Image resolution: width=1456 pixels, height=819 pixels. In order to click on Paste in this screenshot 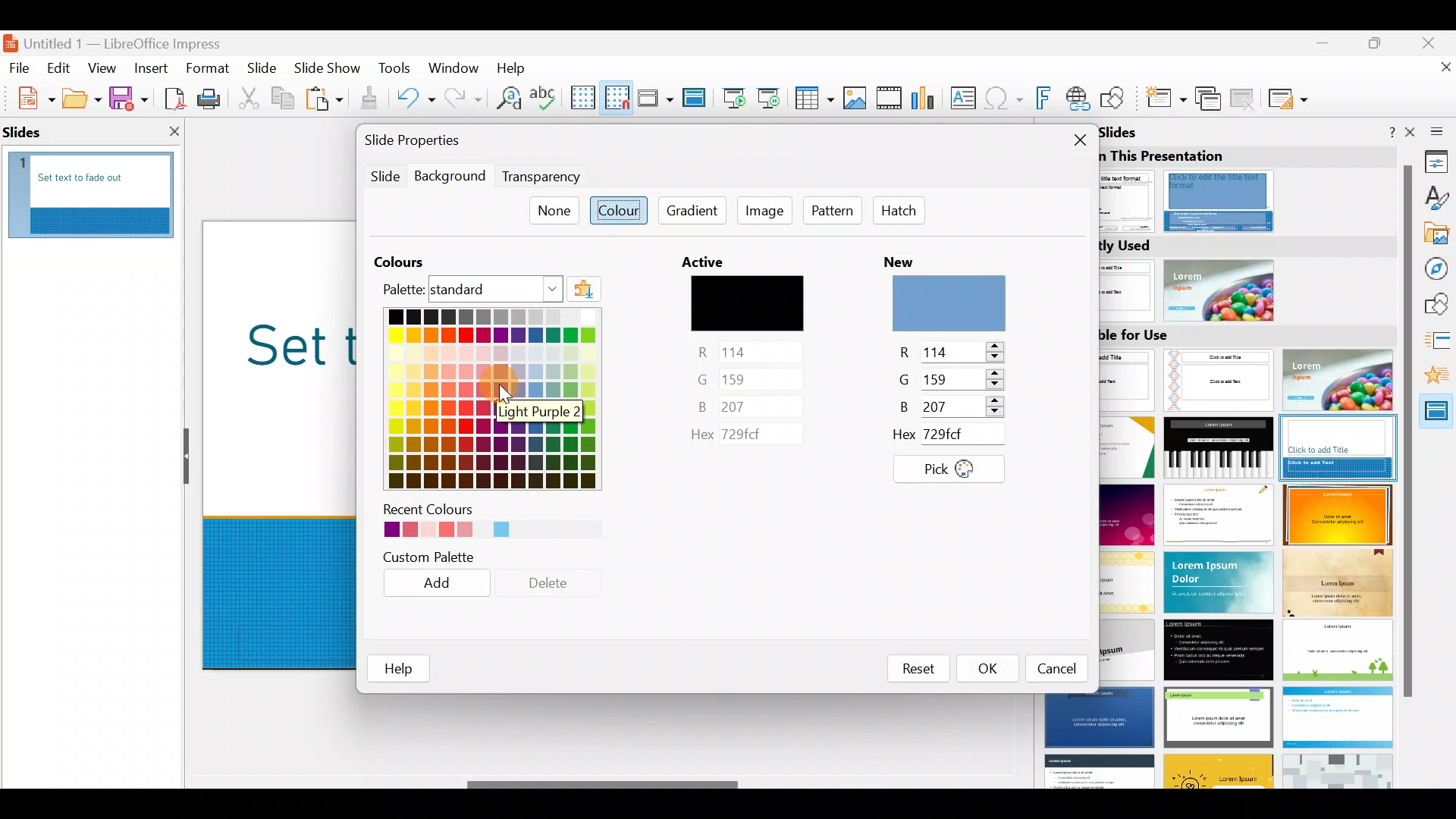, I will do `click(326, 101)`.